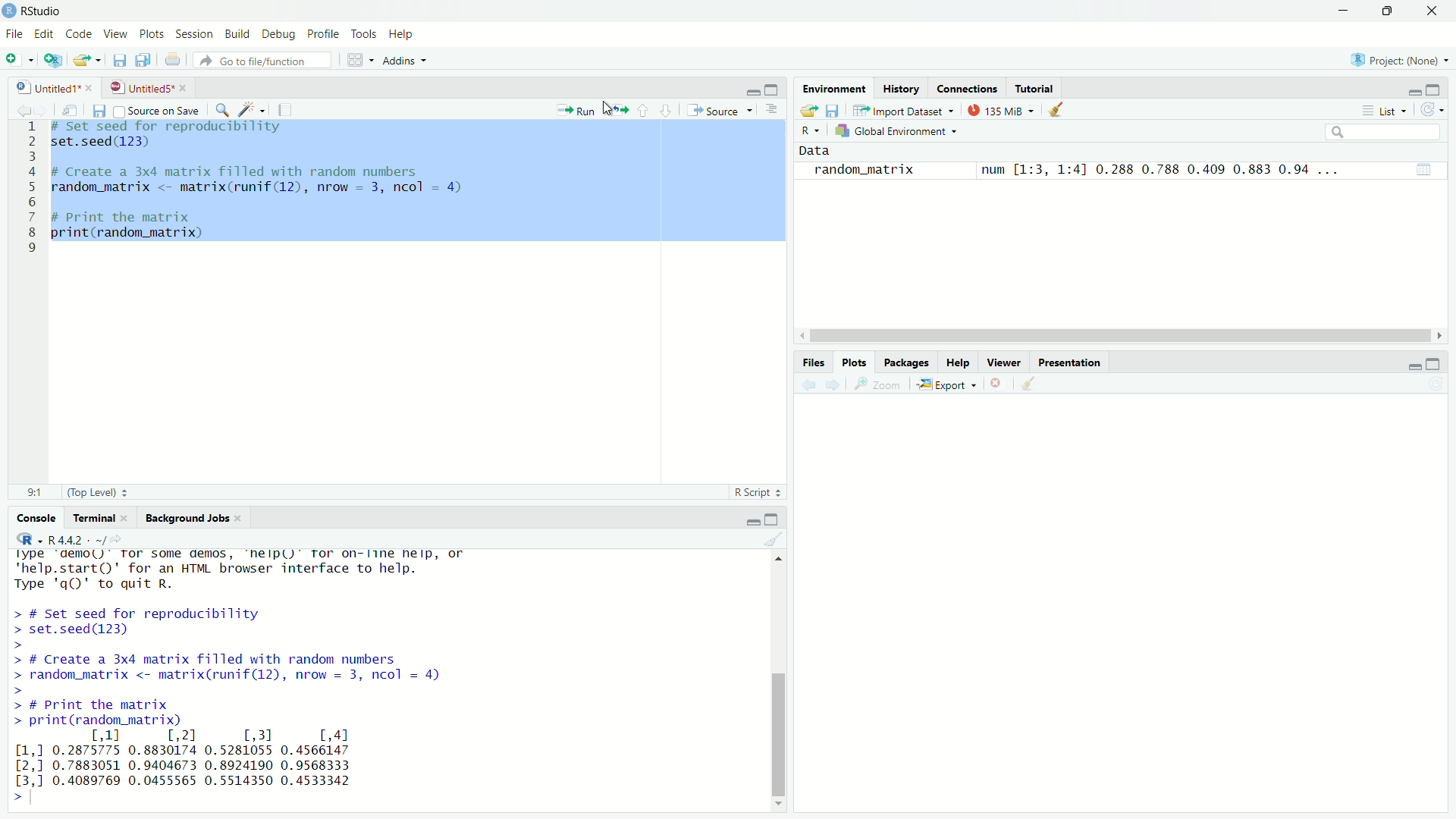 The image size is (1456, 819). I want to click on downward, so click(667, 109).